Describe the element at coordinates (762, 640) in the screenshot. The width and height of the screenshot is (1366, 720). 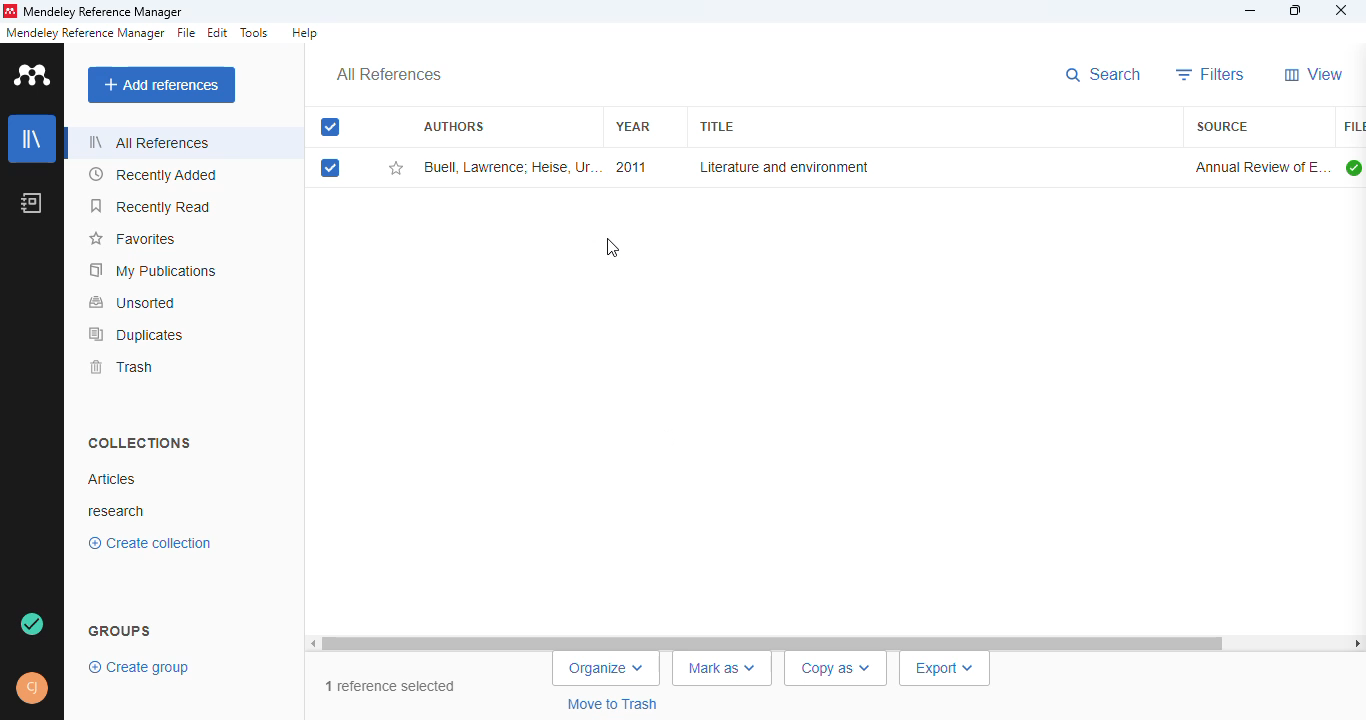
I see `horizontal scroll bar` at that location.